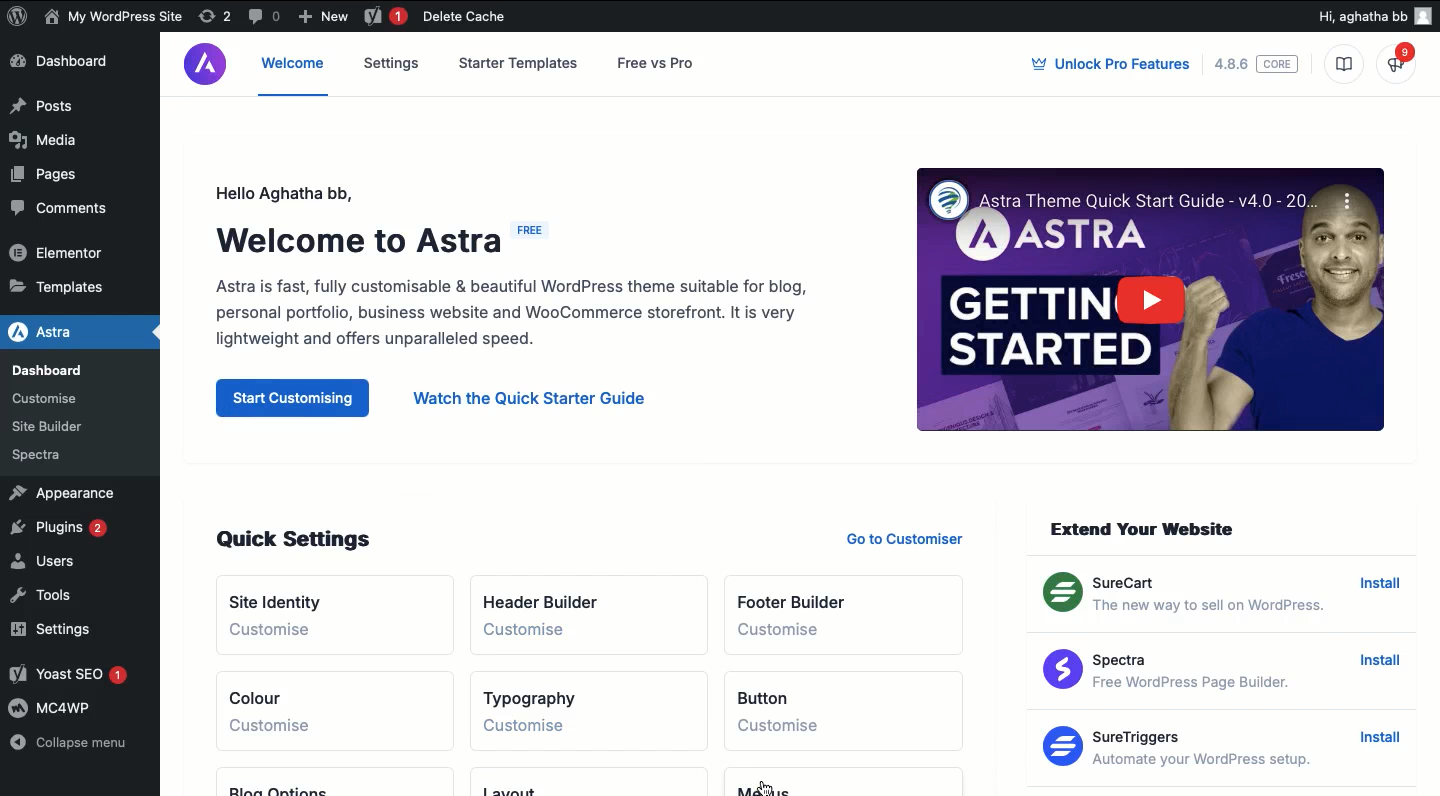  What do you see at coordinates (536, 782) in the screenshot?
I see `Layout` at bounding box center [536, 782].